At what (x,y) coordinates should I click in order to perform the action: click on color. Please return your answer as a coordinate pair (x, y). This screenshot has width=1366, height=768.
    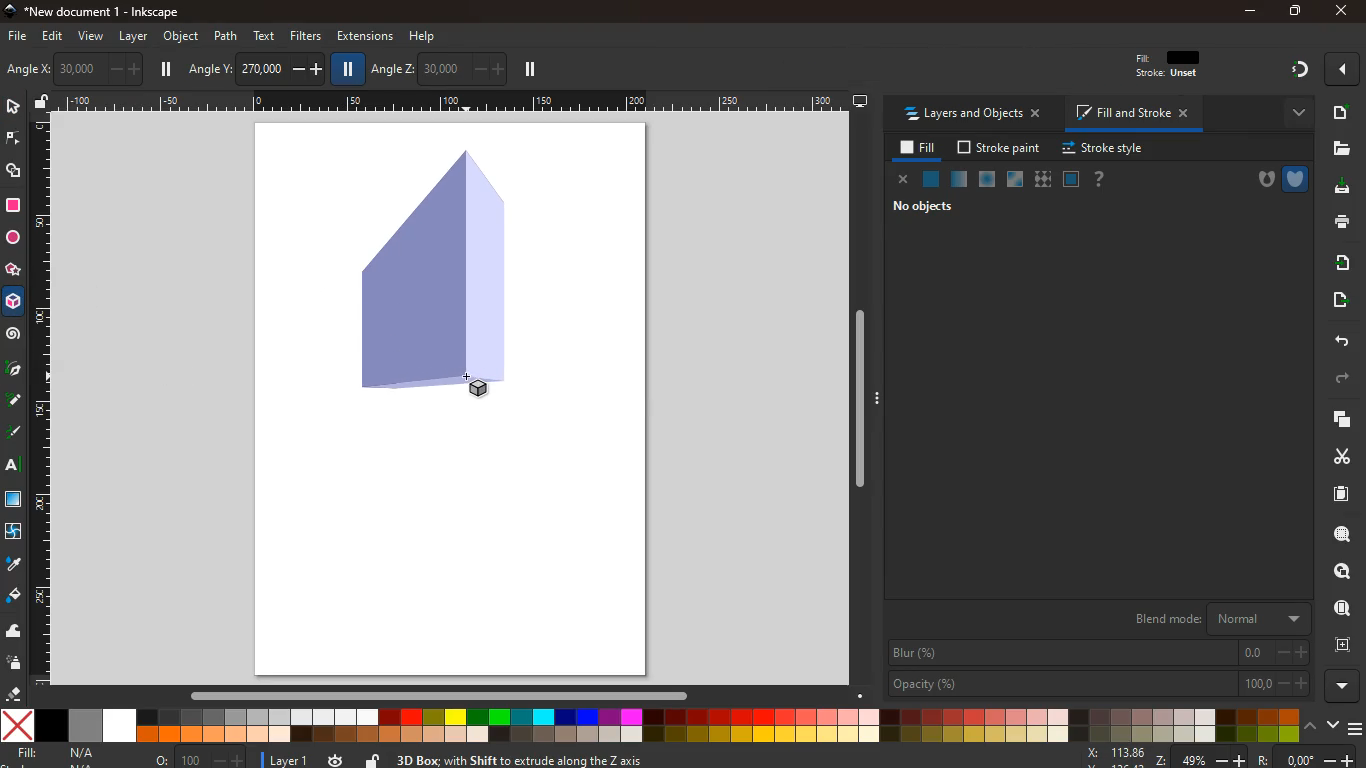
    Looking at the image, I should click on (649, 726).